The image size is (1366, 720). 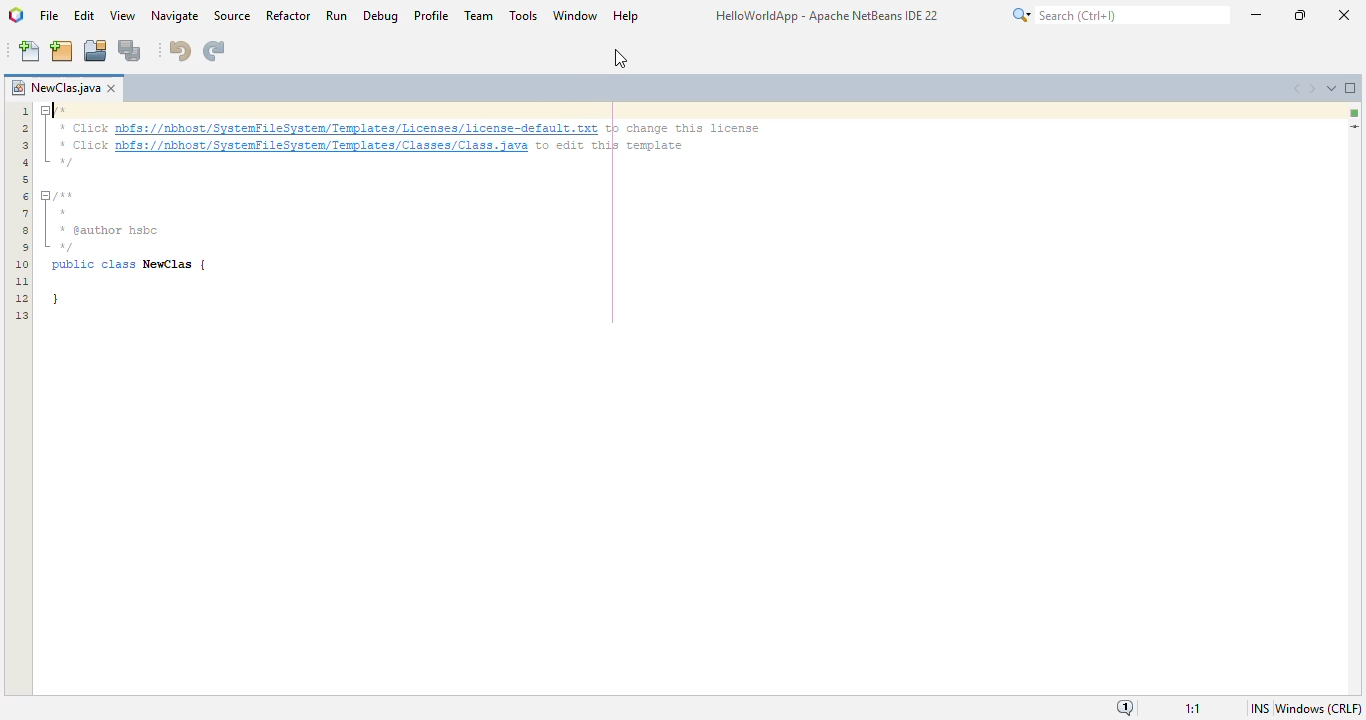 I want to click on fold marker, so click(x=45, y=219).